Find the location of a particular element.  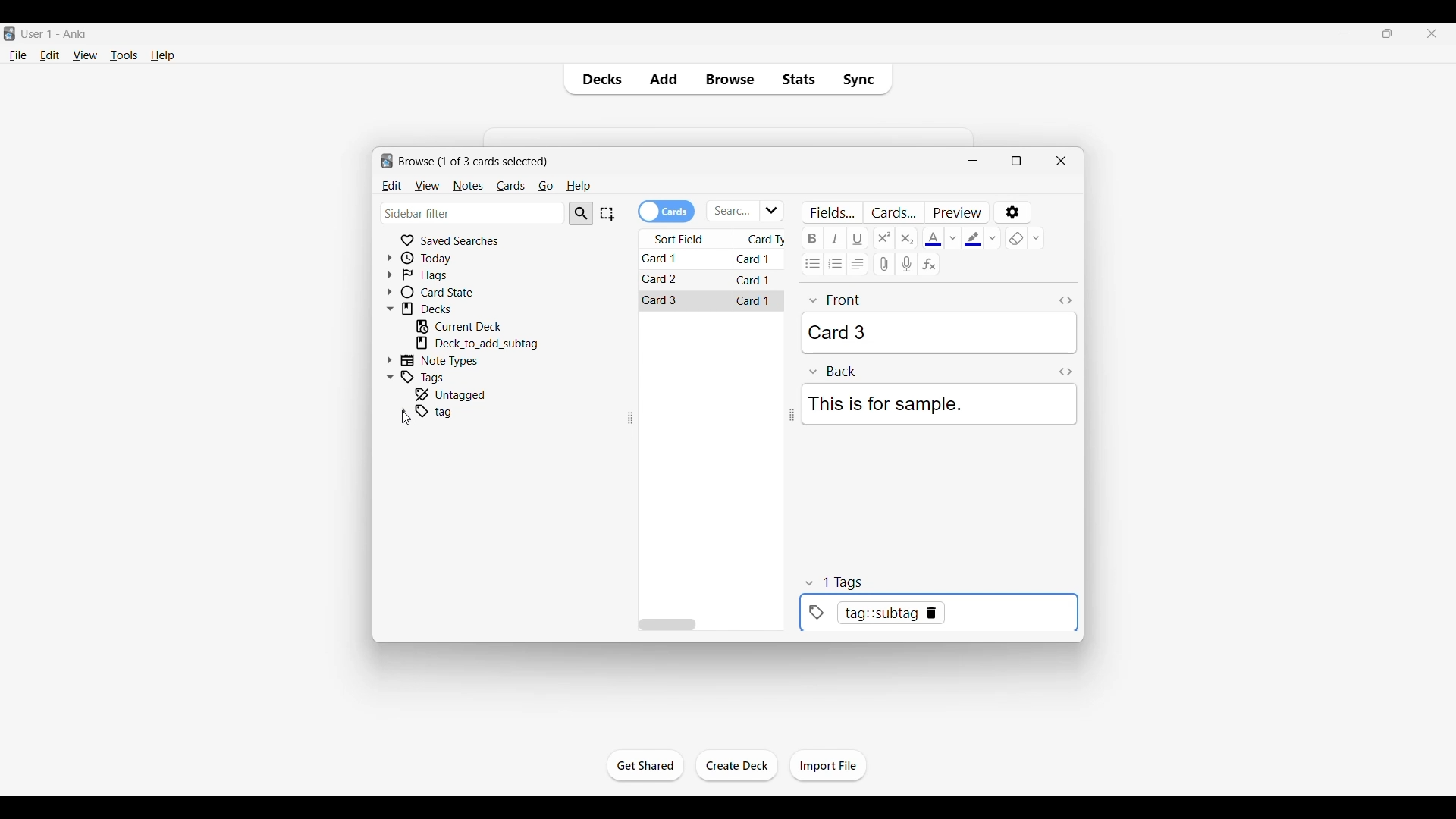

Minimize is located at coordinates (972, 161).